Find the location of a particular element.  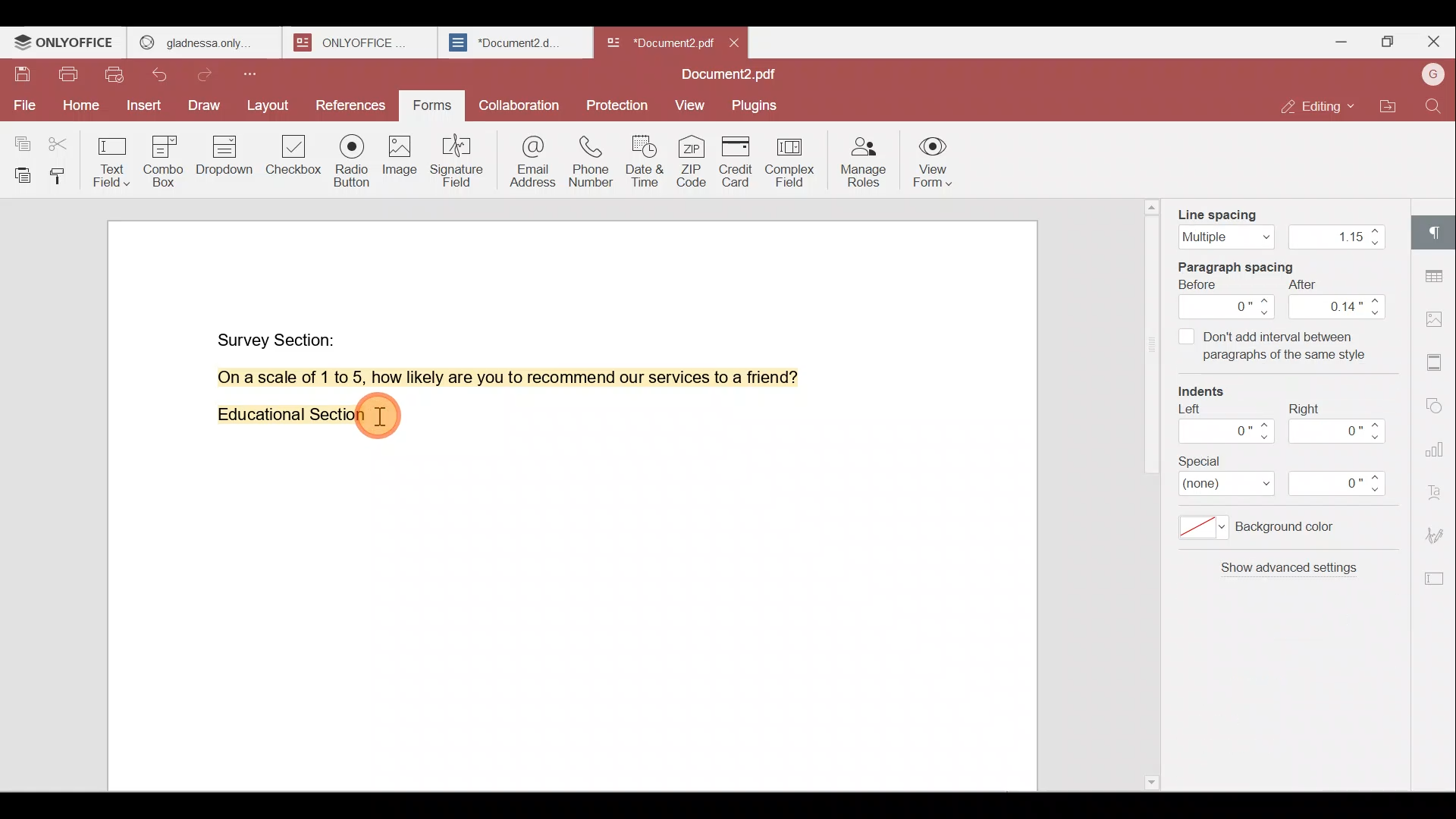

gladness only is located at coordinates (204, 42).